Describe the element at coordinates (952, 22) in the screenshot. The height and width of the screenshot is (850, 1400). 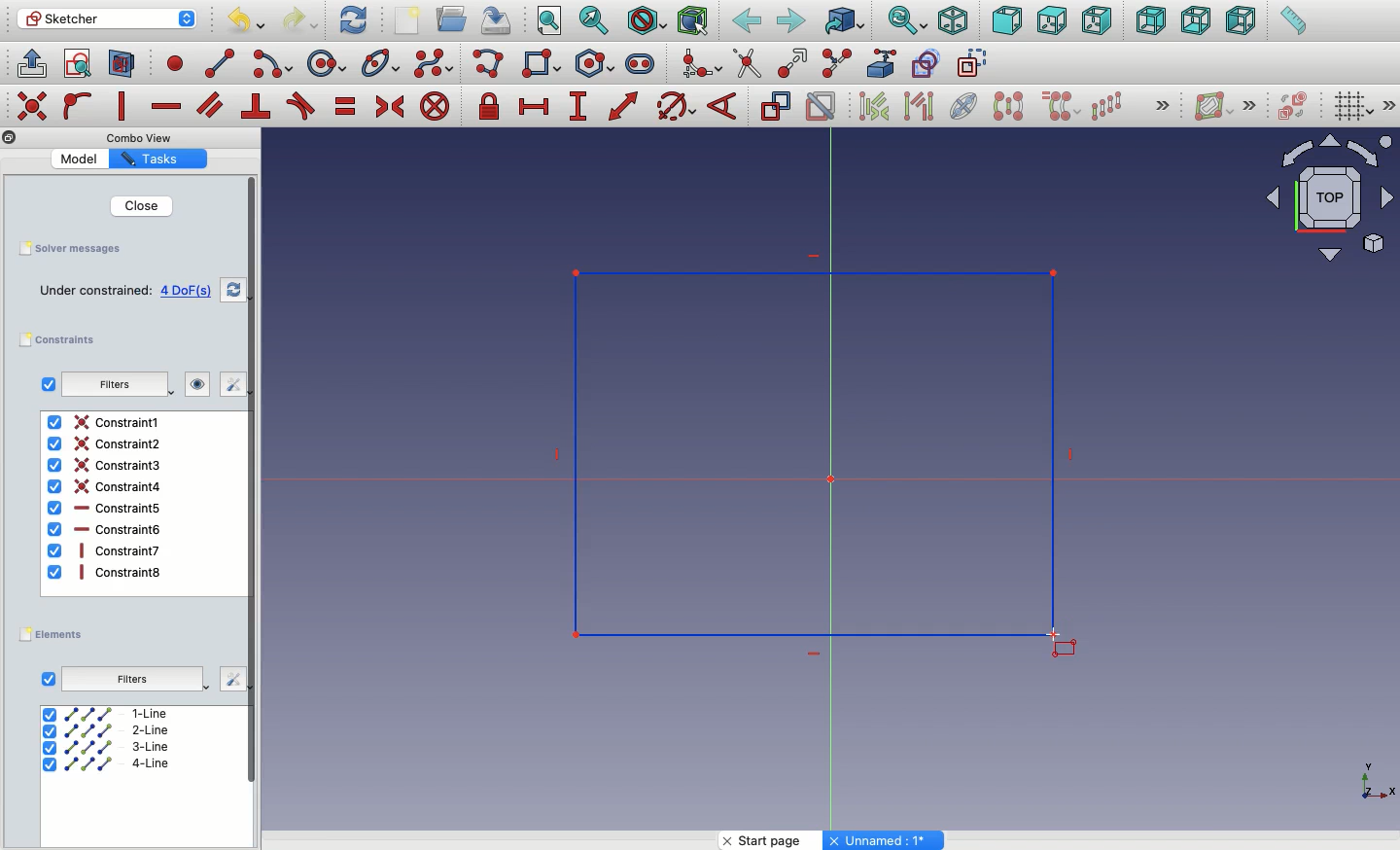
I see `Isometric` at that location.